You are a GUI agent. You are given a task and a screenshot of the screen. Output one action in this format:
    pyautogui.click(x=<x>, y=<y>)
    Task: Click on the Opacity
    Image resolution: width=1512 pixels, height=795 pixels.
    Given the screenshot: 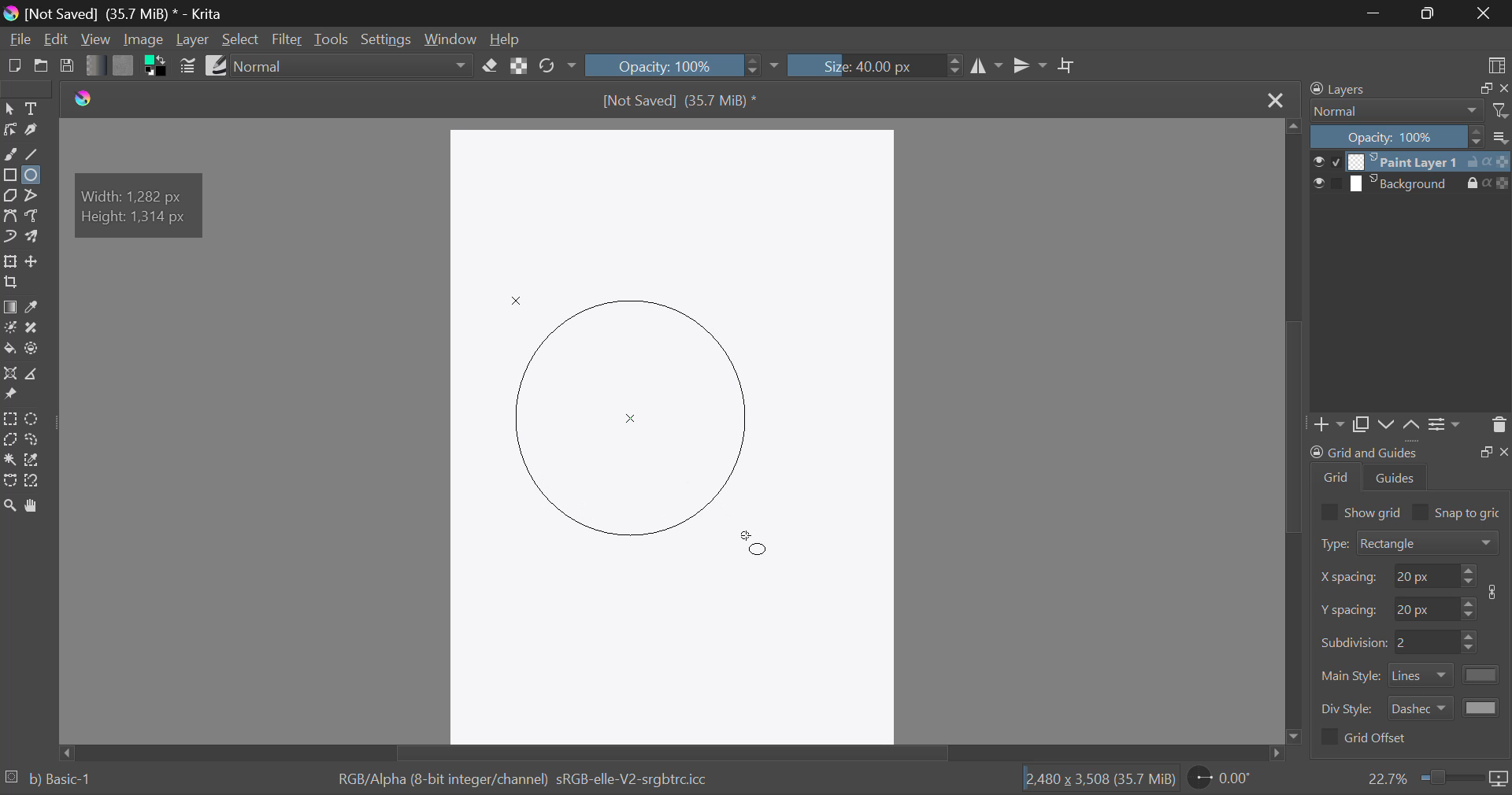 What is the action you would take?
    pyautogui.click(x=684, y=65)
    